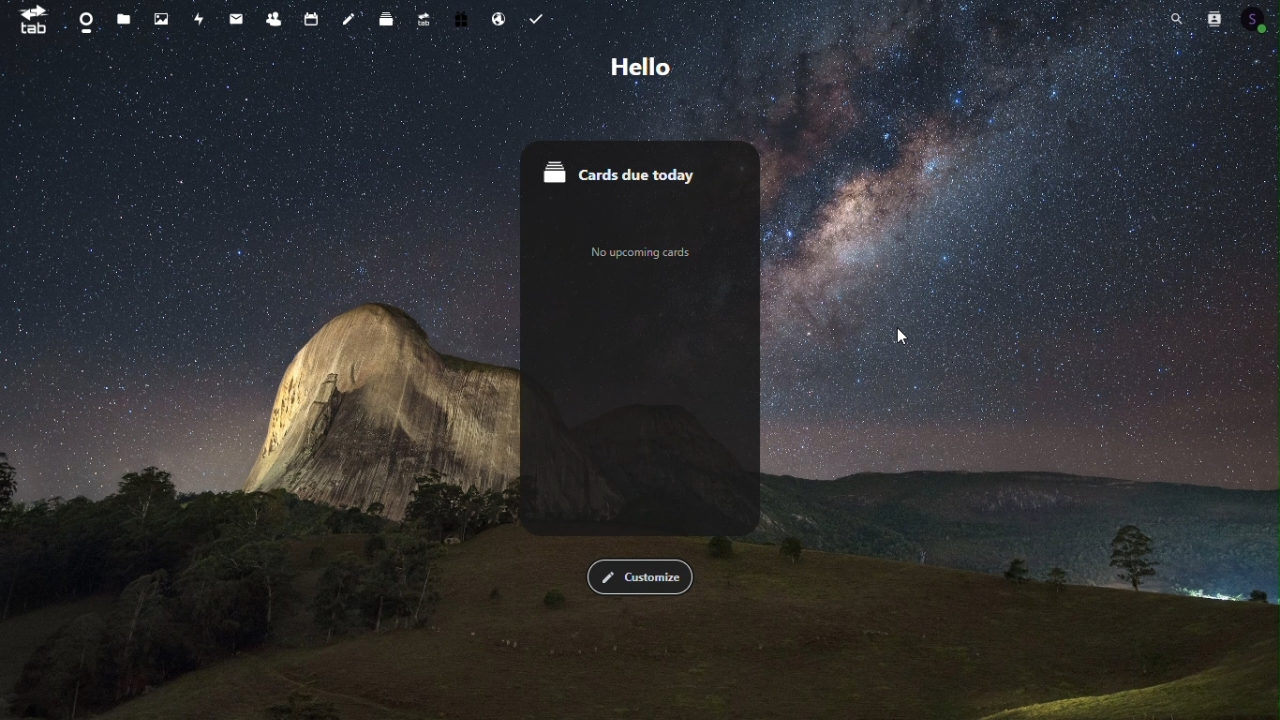  I want to click on files, so click(121, 19).